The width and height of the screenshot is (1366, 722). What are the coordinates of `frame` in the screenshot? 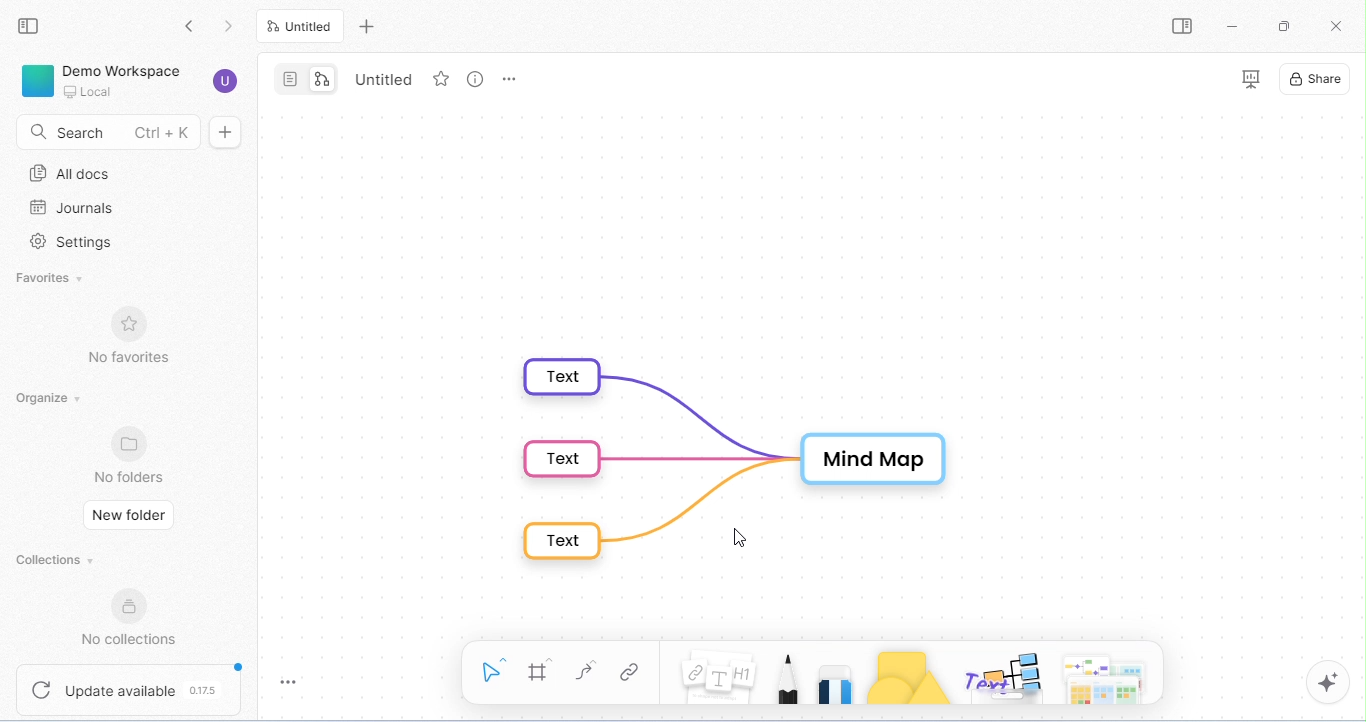 It's located at (540, 672).